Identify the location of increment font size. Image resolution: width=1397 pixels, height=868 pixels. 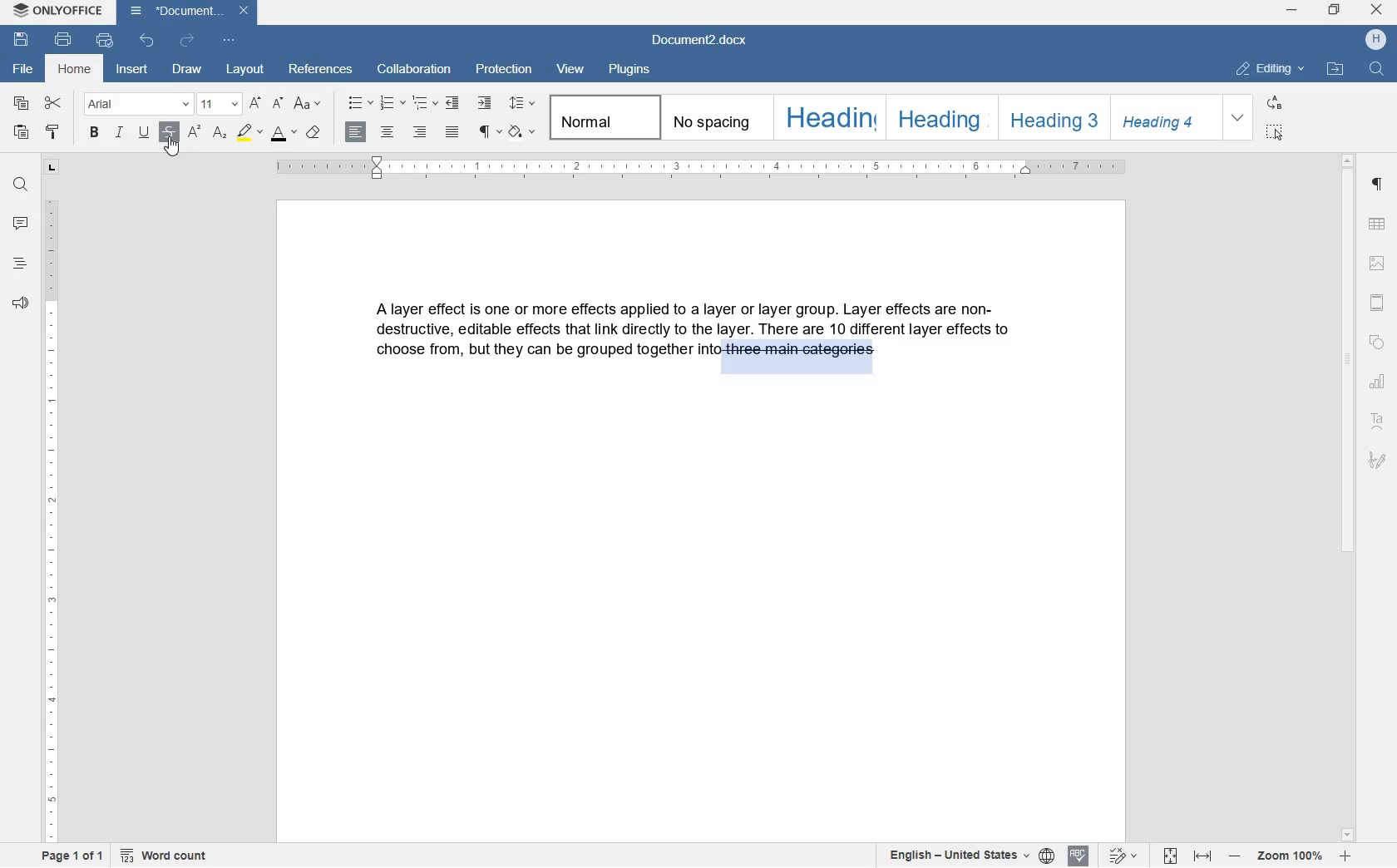
(256, 102).